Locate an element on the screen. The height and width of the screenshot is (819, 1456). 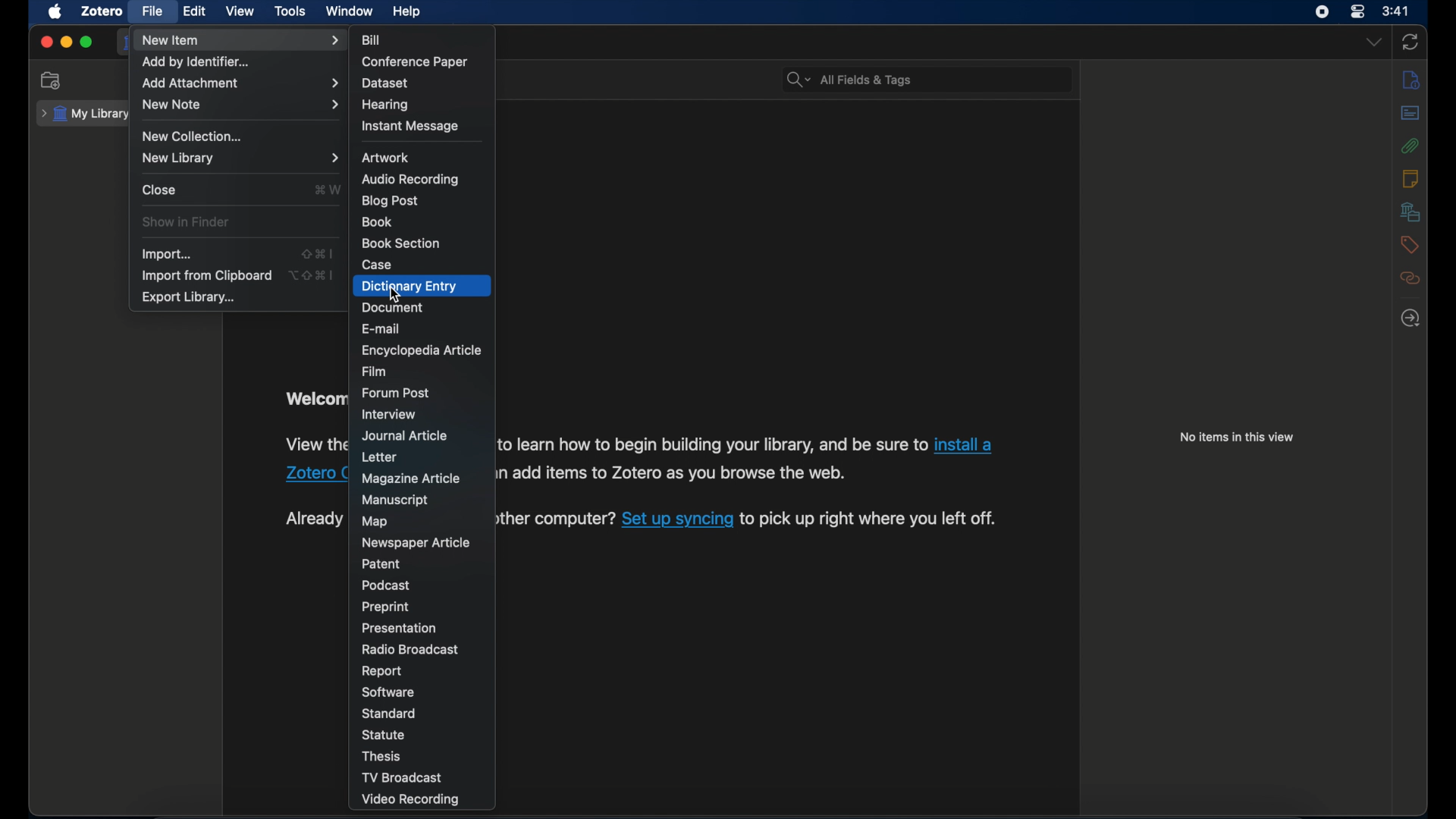
import is located at coordinates (169, 256).